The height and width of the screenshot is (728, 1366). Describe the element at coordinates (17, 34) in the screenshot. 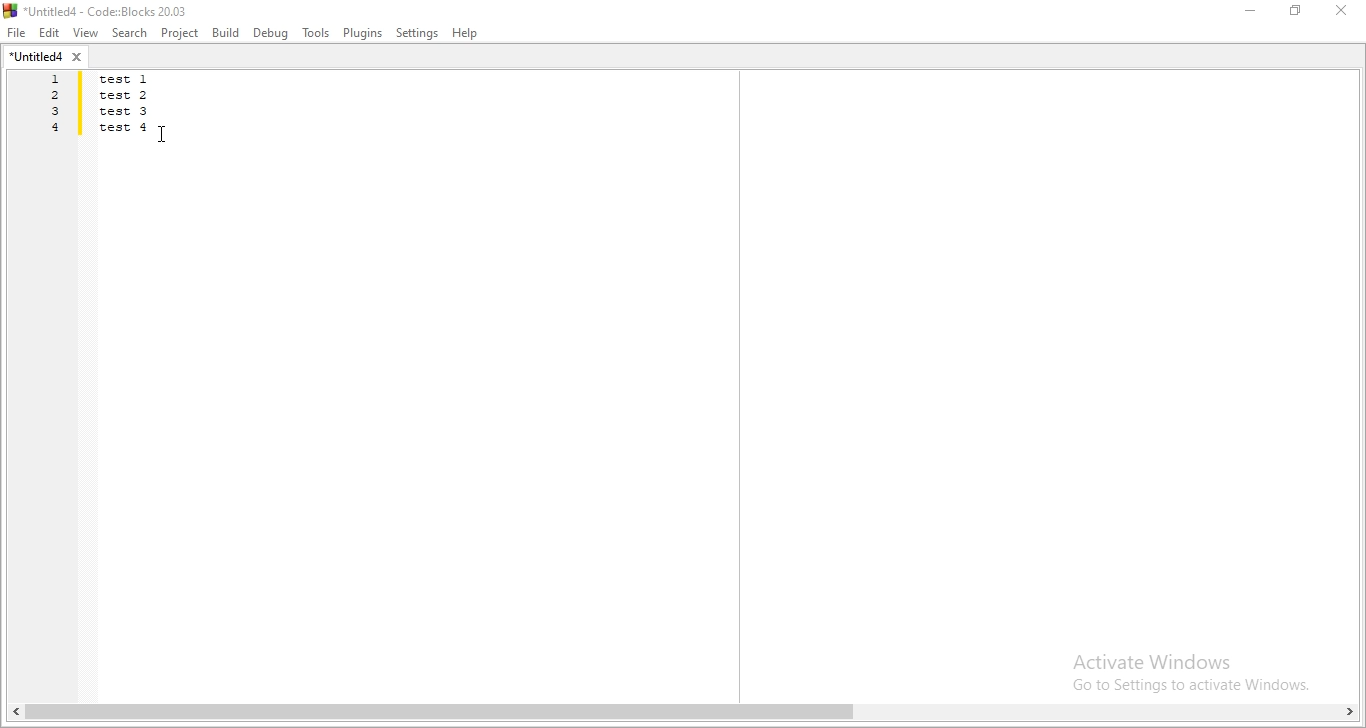

I see `File` at that location.